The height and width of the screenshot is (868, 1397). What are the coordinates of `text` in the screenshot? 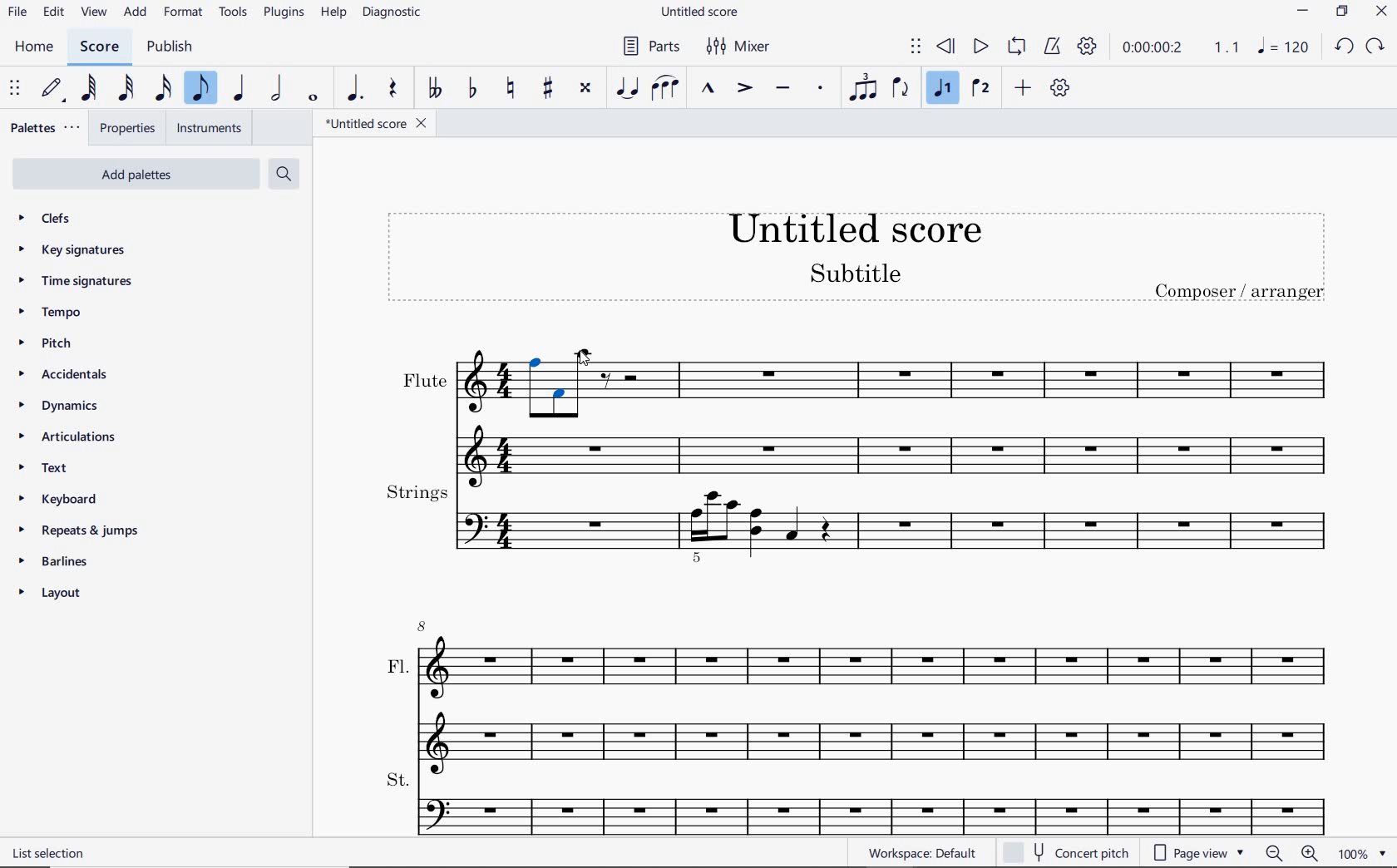 It's located at (52, 470).